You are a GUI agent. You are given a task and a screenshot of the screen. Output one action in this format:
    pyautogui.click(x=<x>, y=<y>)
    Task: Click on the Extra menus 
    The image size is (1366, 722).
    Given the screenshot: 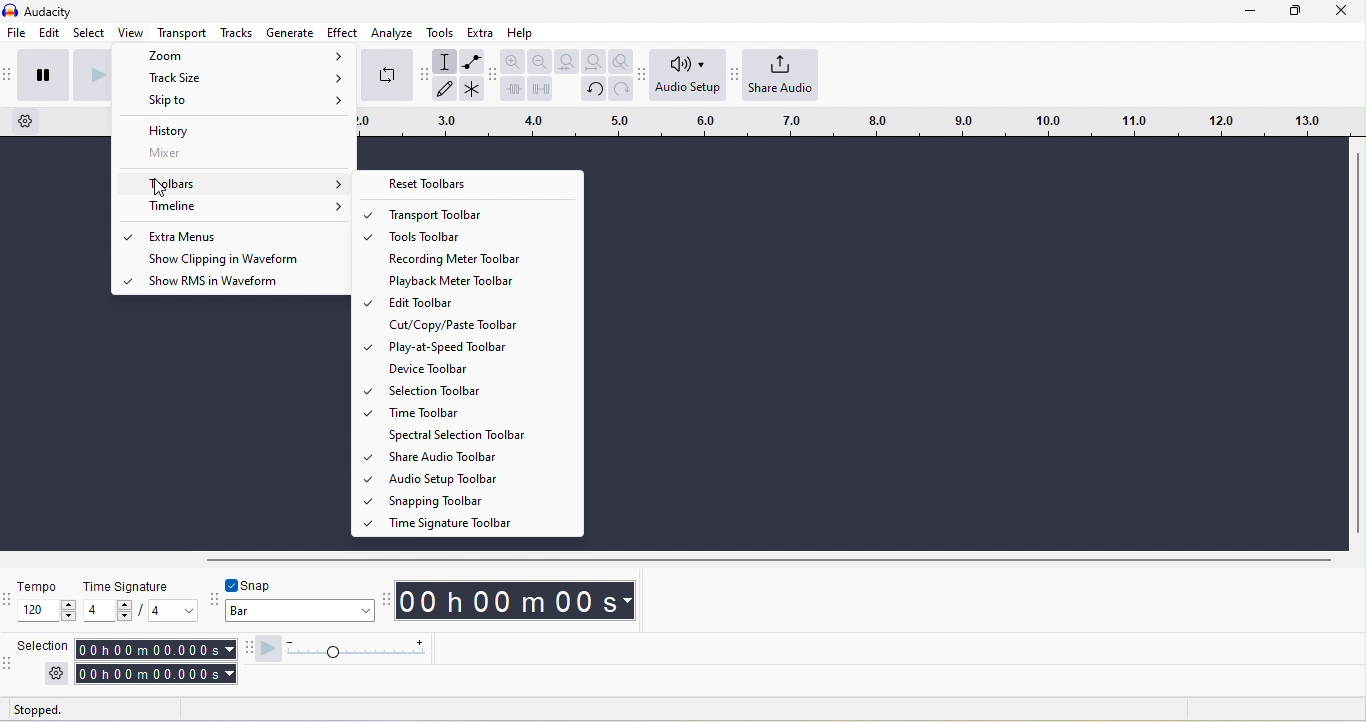 What is the action you would take?
    pyautogui.click(x=242, y=236)
    